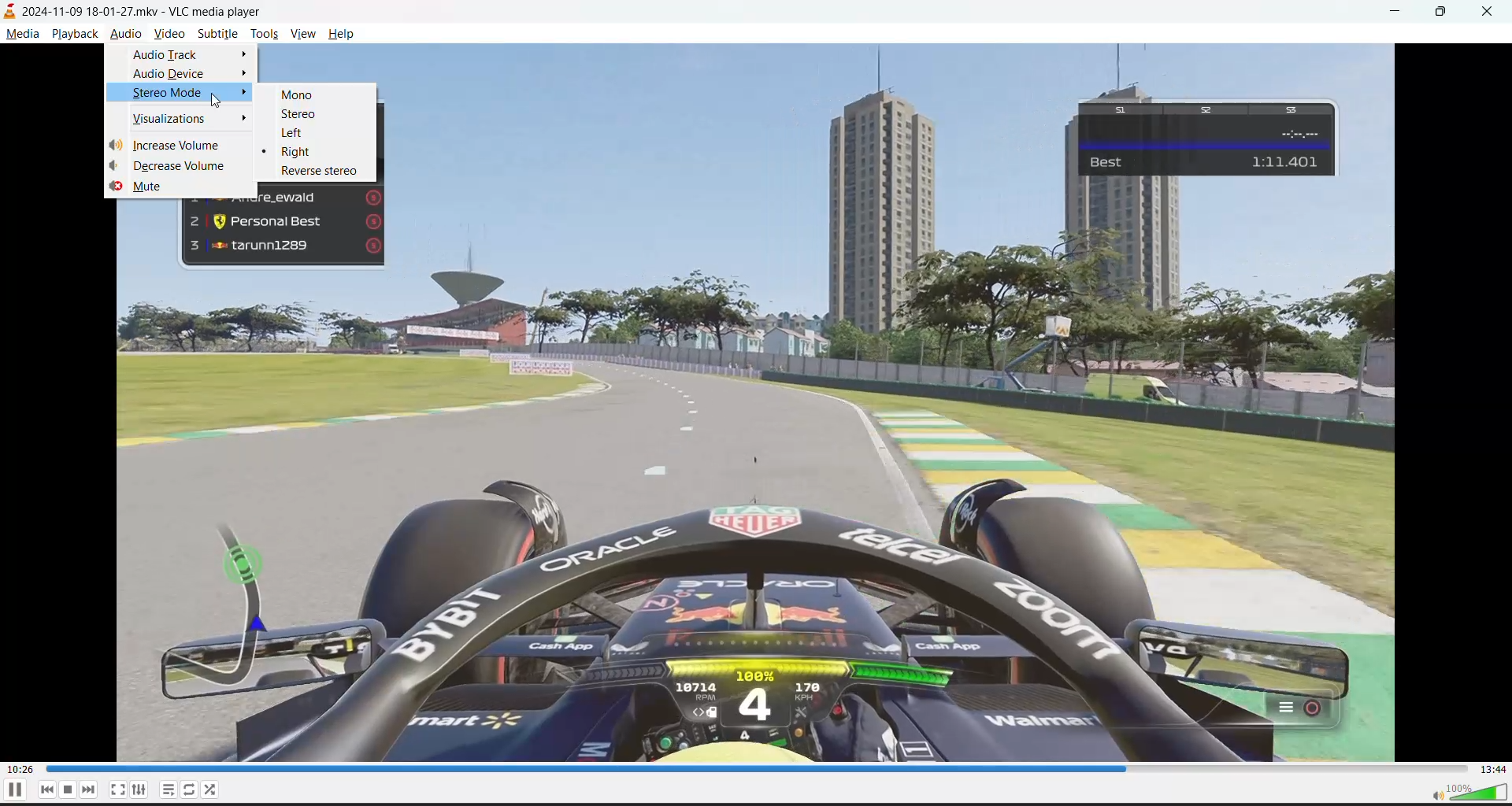  I want to click on preview, so click(1236, 240).